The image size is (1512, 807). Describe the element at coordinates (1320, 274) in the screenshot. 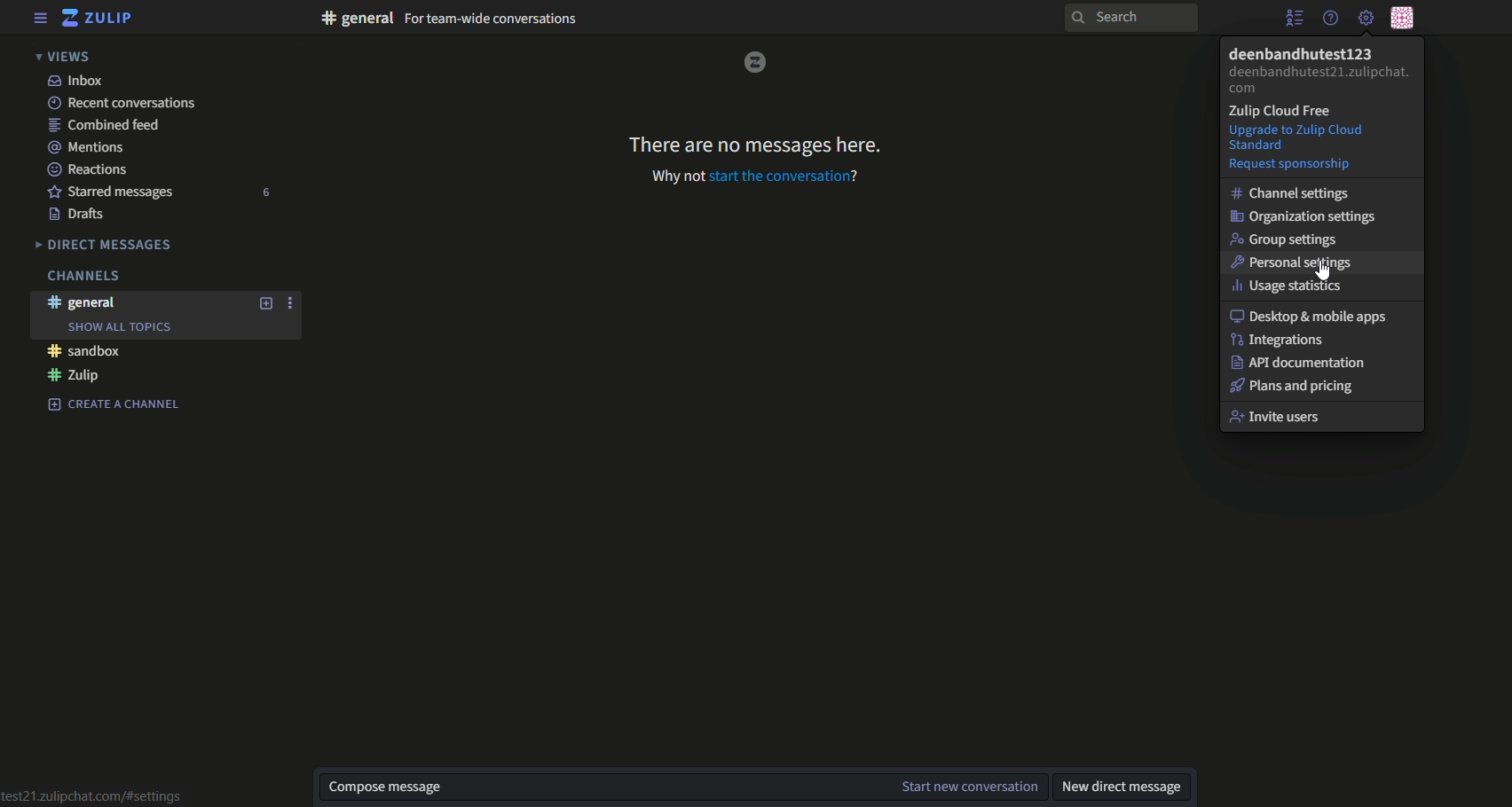

I see `Cursor` at that location.